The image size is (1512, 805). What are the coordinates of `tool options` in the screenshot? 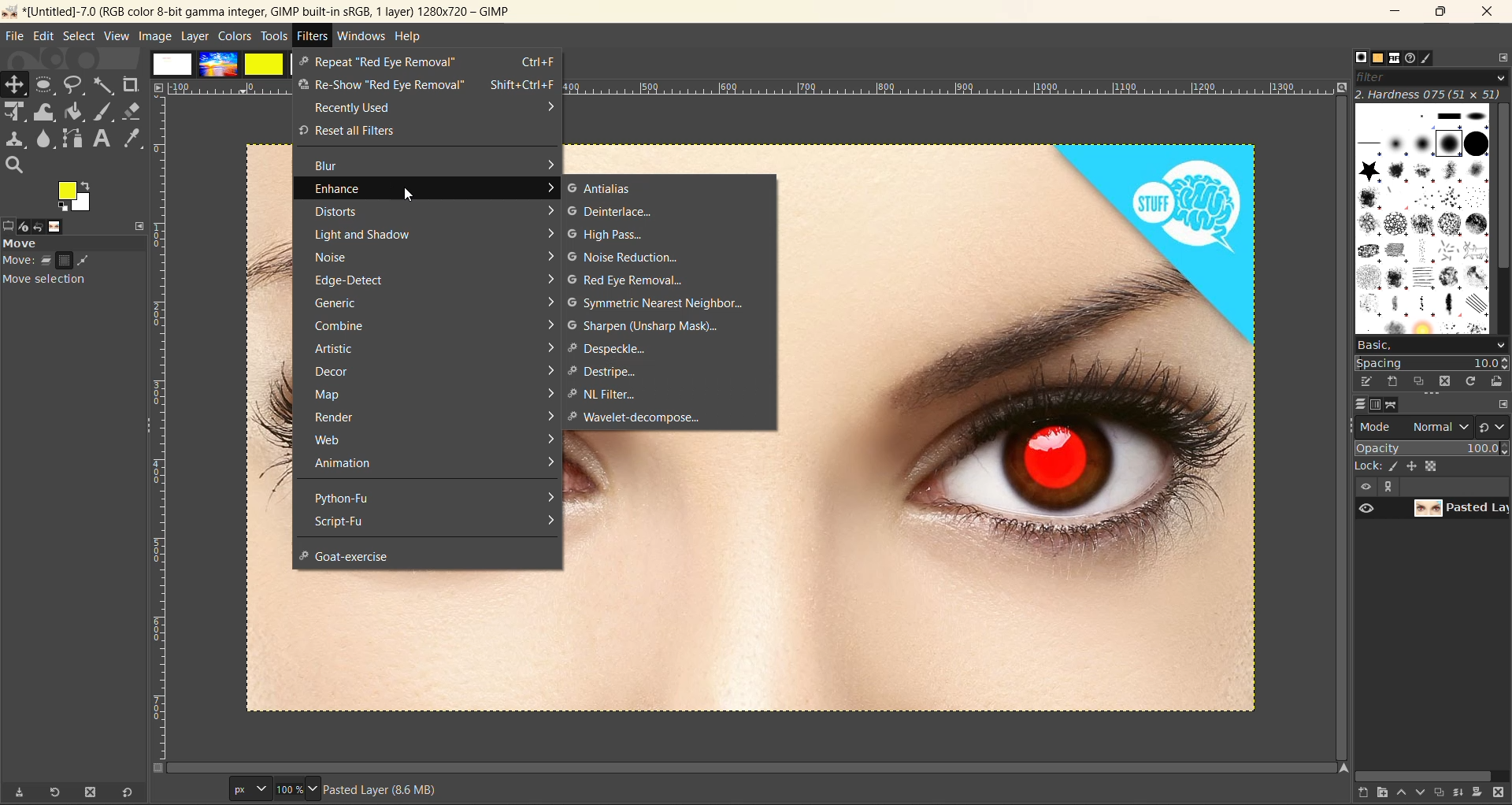 It's located at (9, 224).